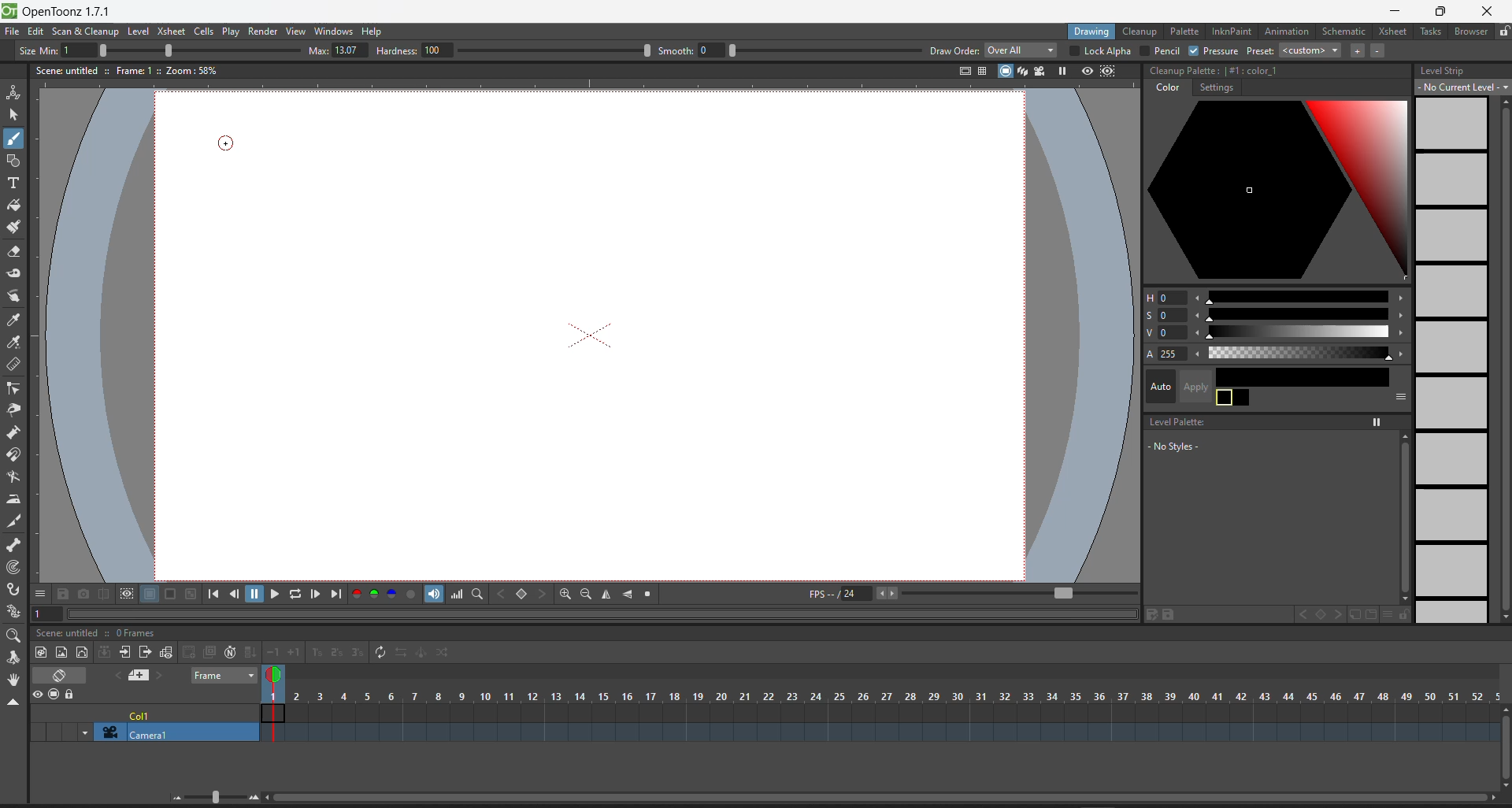 The image size is (1512, 808). I want to click on blue channel, so click(391, 594).